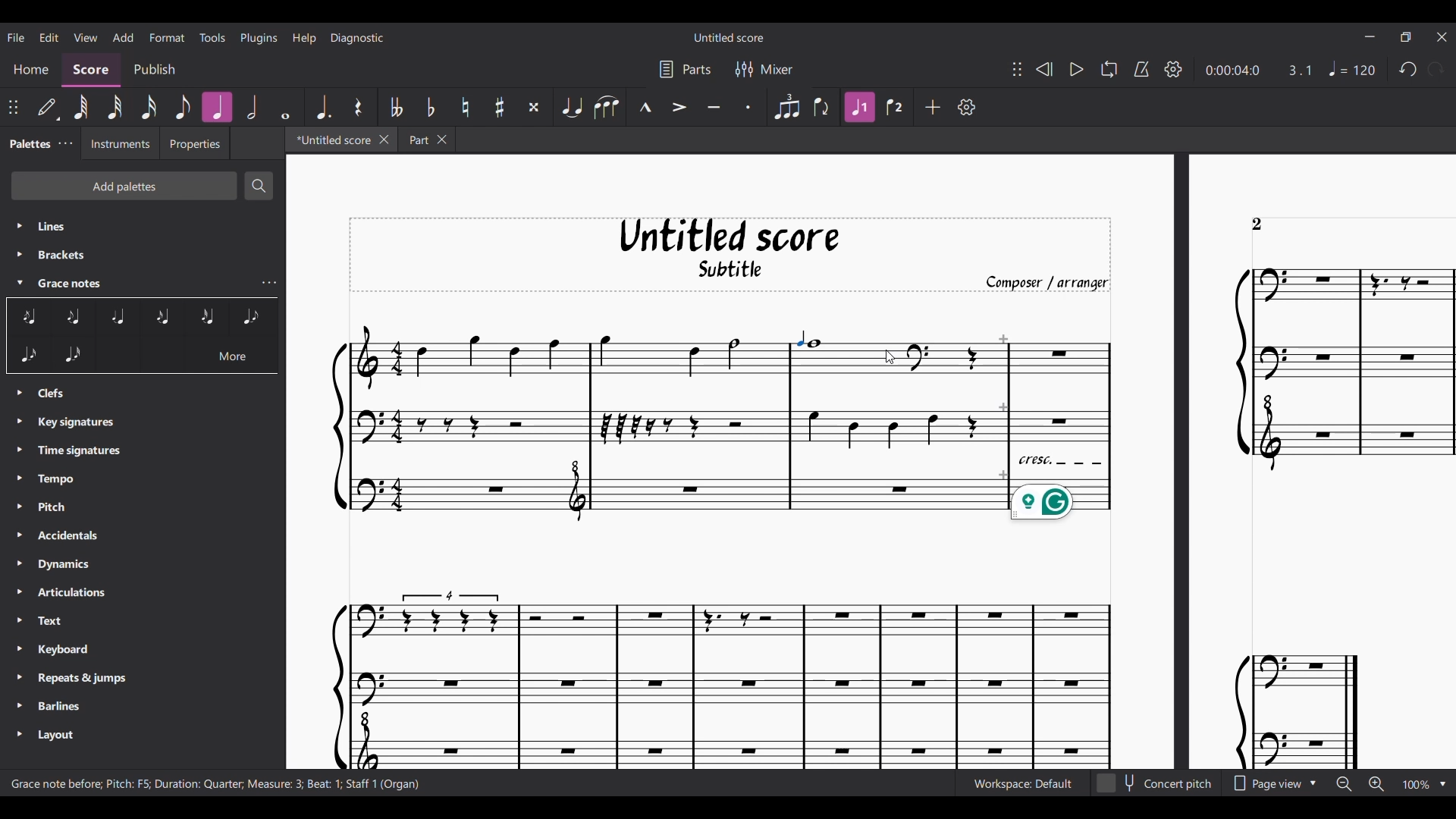  Describe the element at coordinates (1407, 70) in the screenshot. I see `Undo` at that location.